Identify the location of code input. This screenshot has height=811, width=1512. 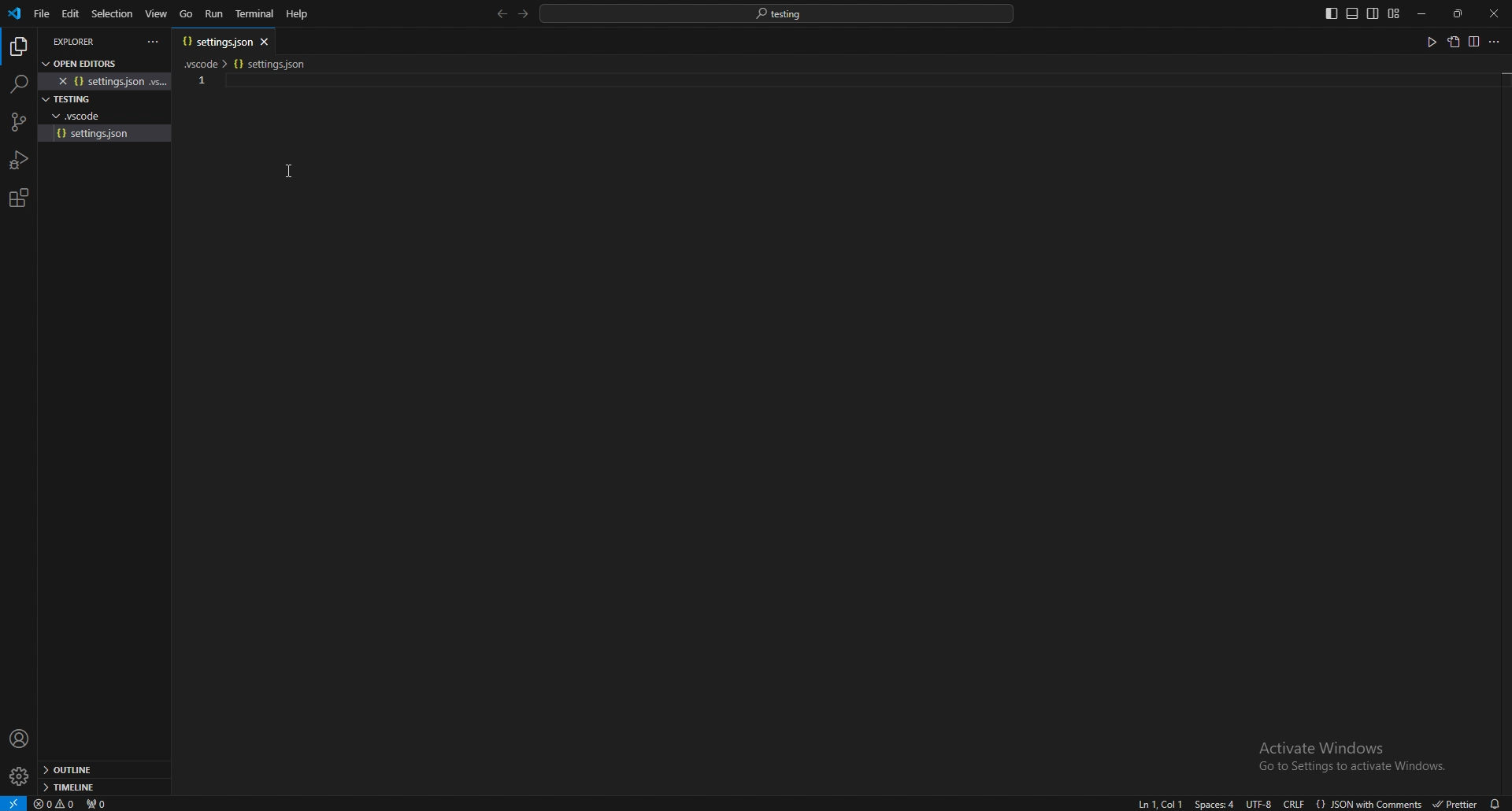
(335, 80).